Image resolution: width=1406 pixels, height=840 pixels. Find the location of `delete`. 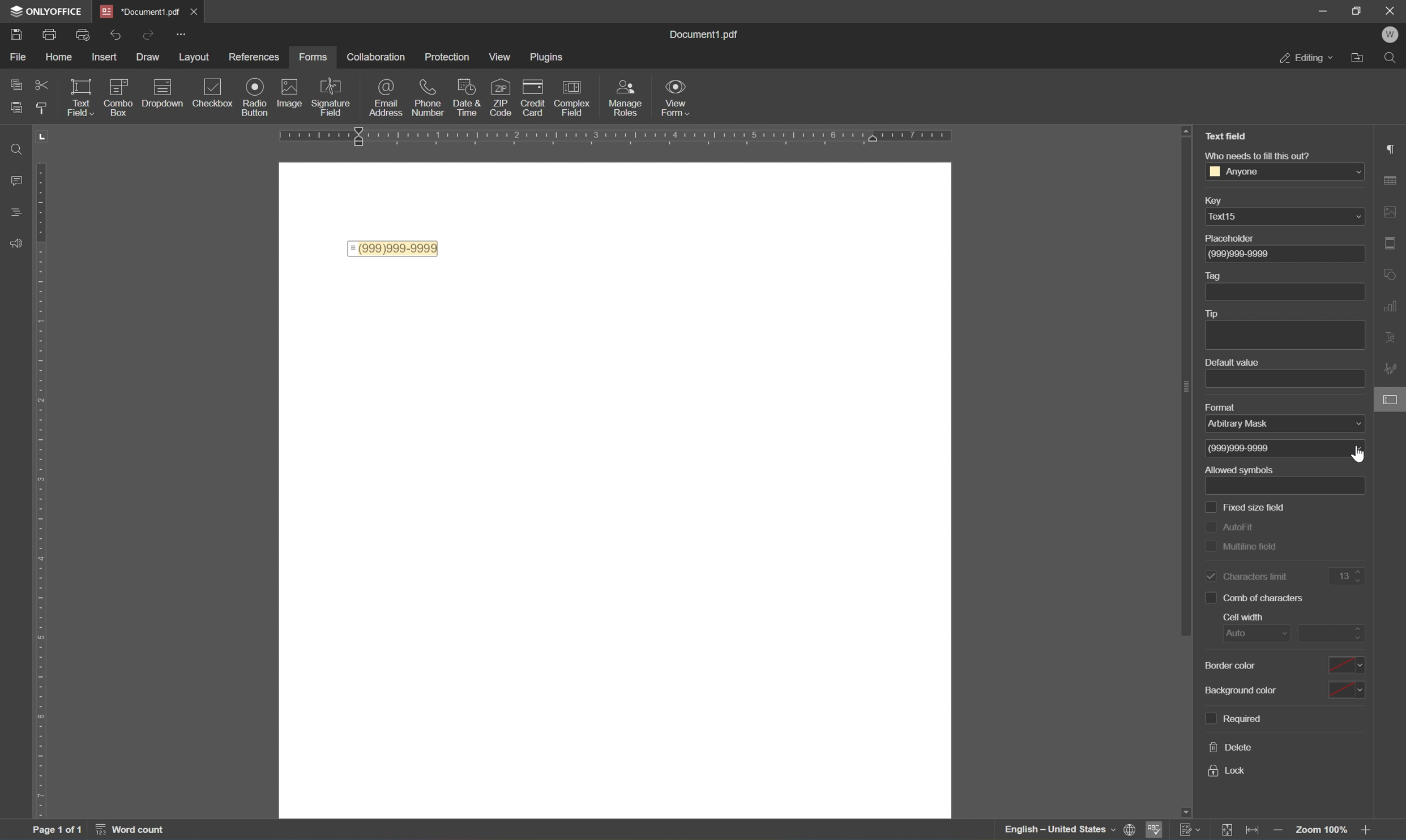

delete is located at coordinates (1232, 747).